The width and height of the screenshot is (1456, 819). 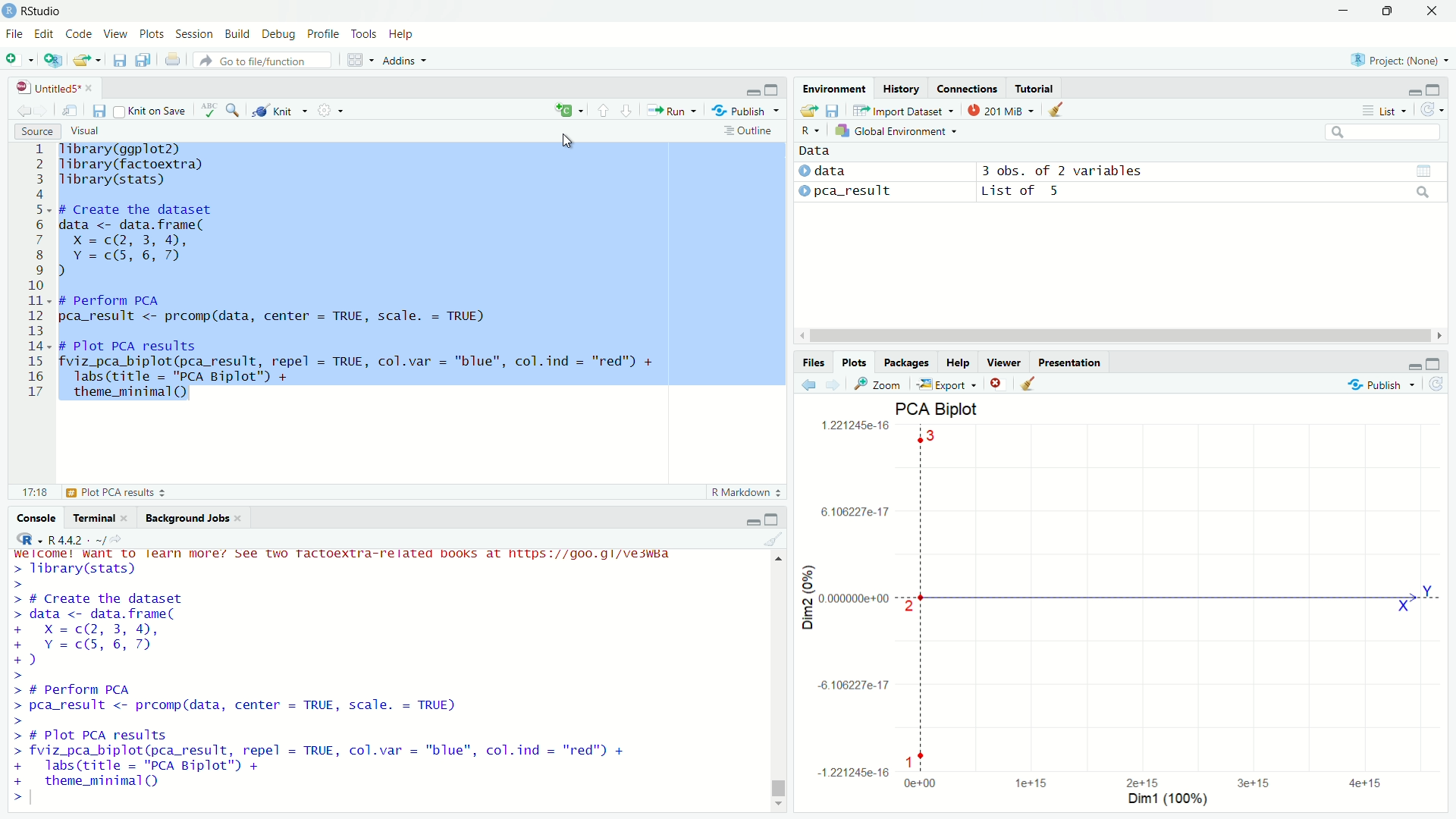 I want to click on Tibrary(ggplot2)
Tibrary(factoextra)
Tibrary(stats)
# Create the dataset
data <- data. frame(
X =c(2, 3, 4,
Y=c(5,6,7)
)
# perform PCA I
pca_result <- prcomp(data, center = TRUE, scale. = TRUE)
# Plot PCA results|
fviz_pca_biplot(pca_result, repel = TRUE, col.var = "blue", col.ind = "red") +
labs (title = "PCA Biplot") +
theme_minimal(), so click(x=365, y=271).